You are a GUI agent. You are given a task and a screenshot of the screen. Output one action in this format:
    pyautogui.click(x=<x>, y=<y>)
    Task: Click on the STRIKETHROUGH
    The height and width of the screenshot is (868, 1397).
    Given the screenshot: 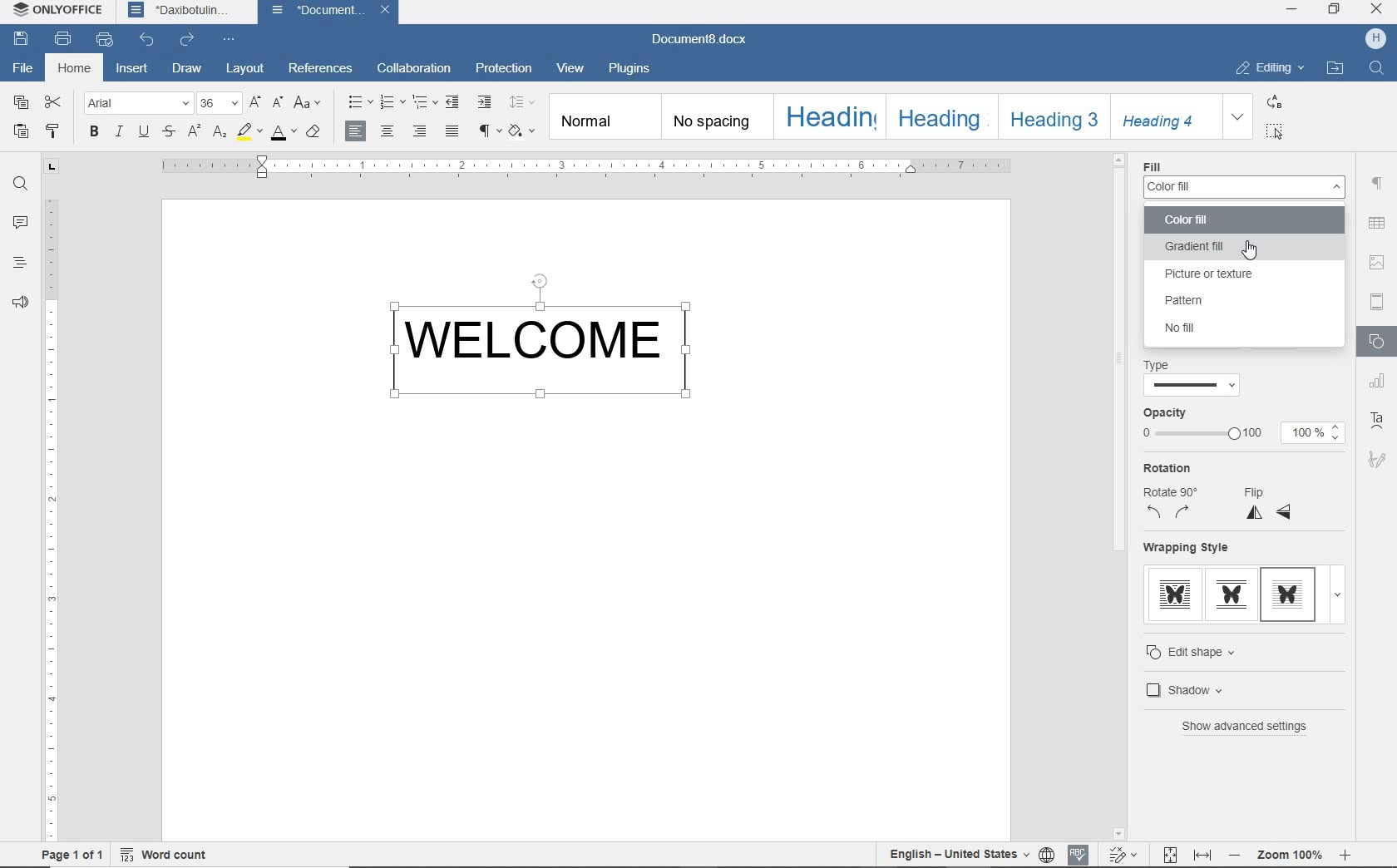 What is the action you would take?
    pyautogui.click(x=170, y=131)
    